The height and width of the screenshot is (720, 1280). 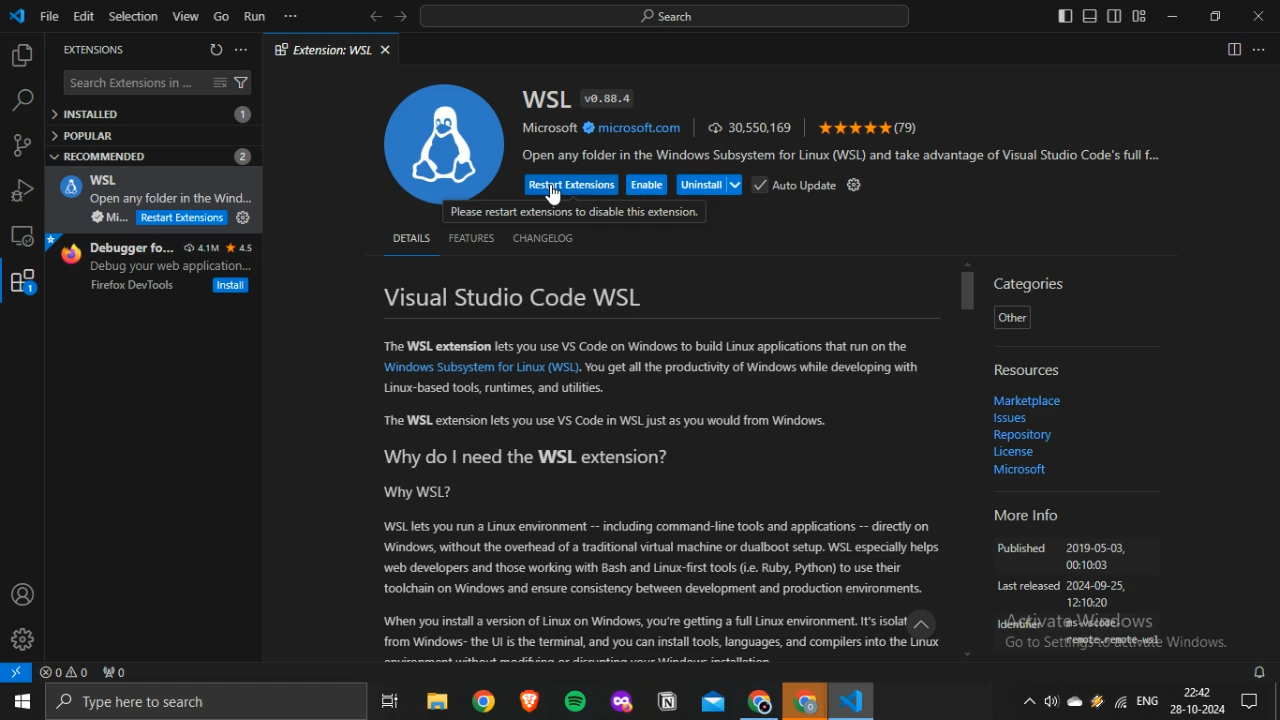 I want to click on ‘Marketplace, so click(x=1027, y=401).